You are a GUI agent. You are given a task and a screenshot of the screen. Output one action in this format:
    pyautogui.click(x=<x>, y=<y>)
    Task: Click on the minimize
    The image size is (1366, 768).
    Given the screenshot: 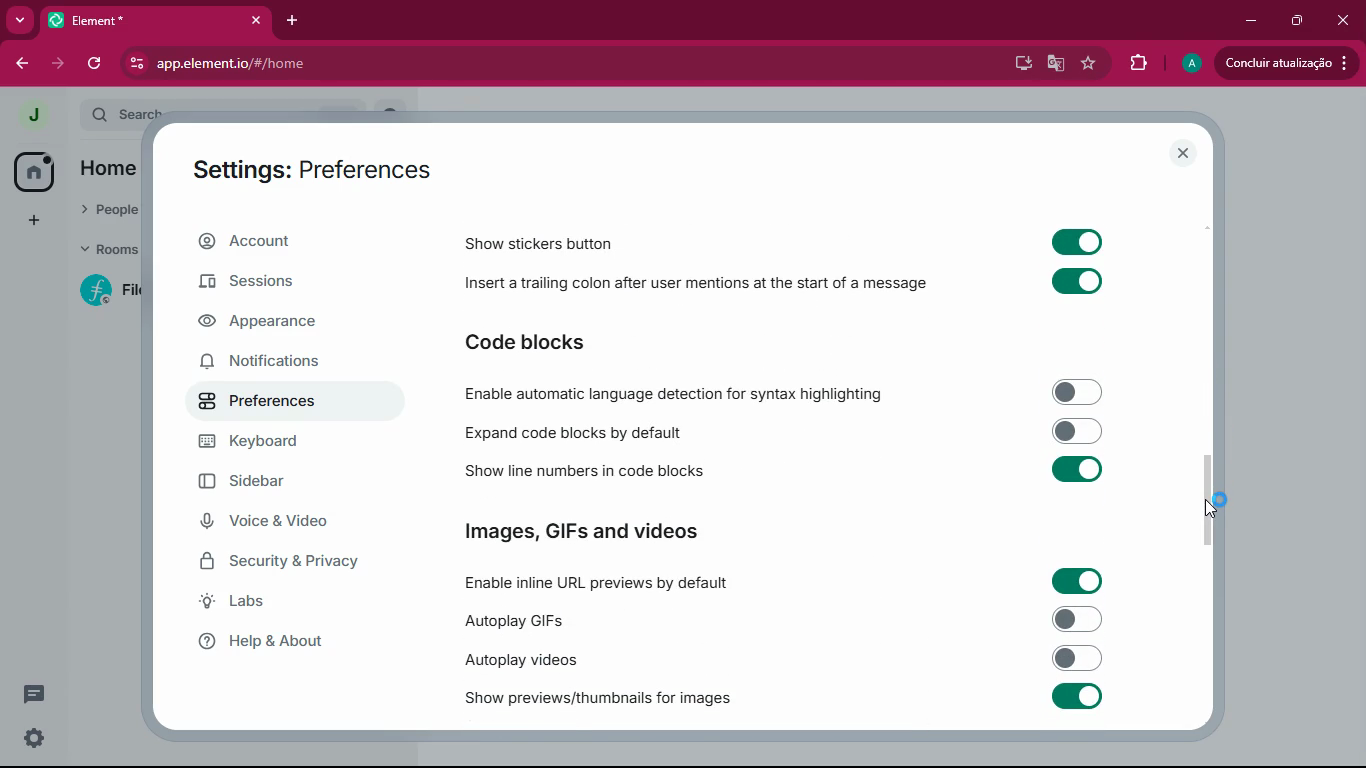 What is the action you would take?
    pyautogui.click(x=1248, y=21)
    